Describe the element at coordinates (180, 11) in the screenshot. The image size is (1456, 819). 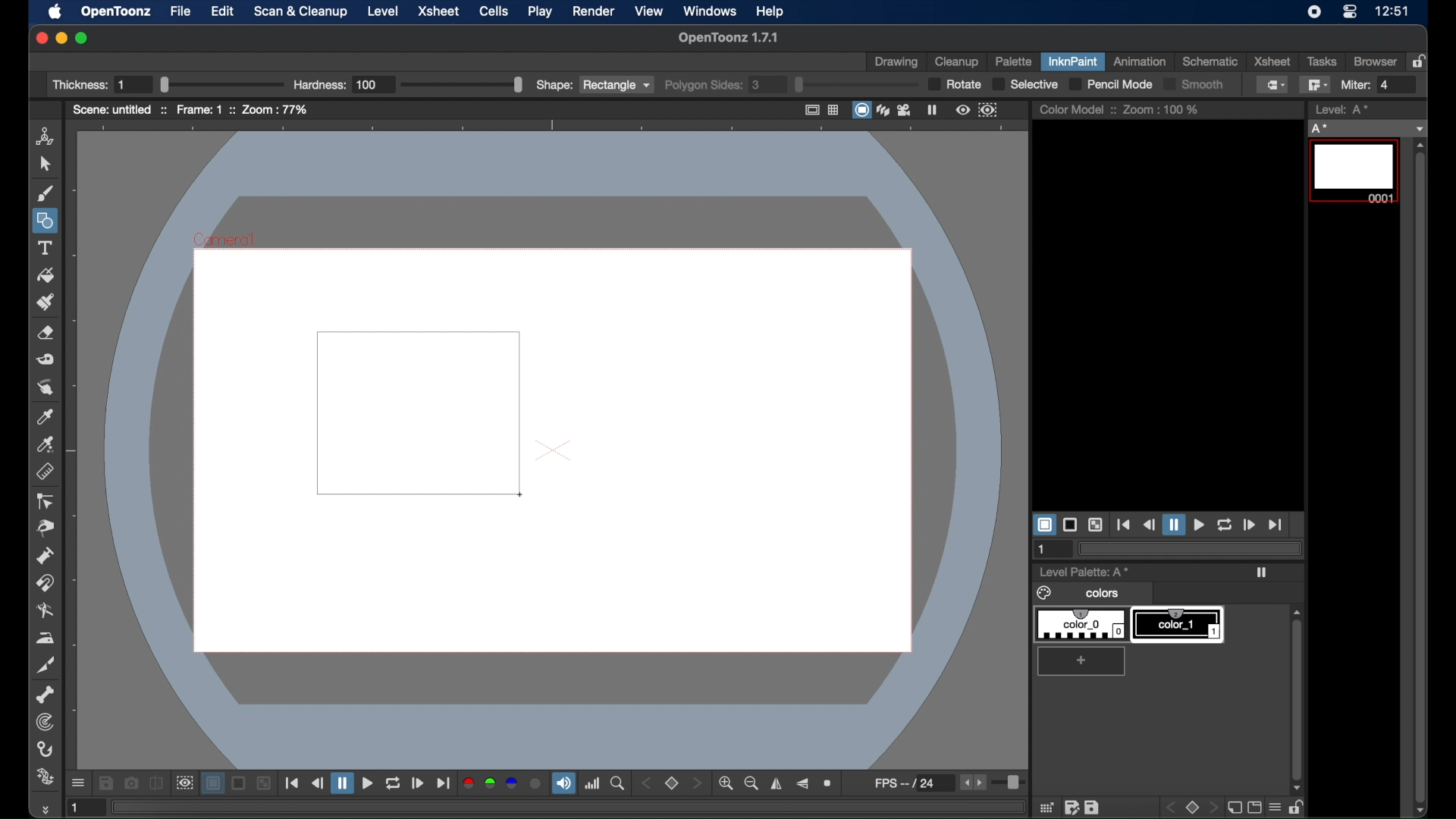
I see `file` at that location.